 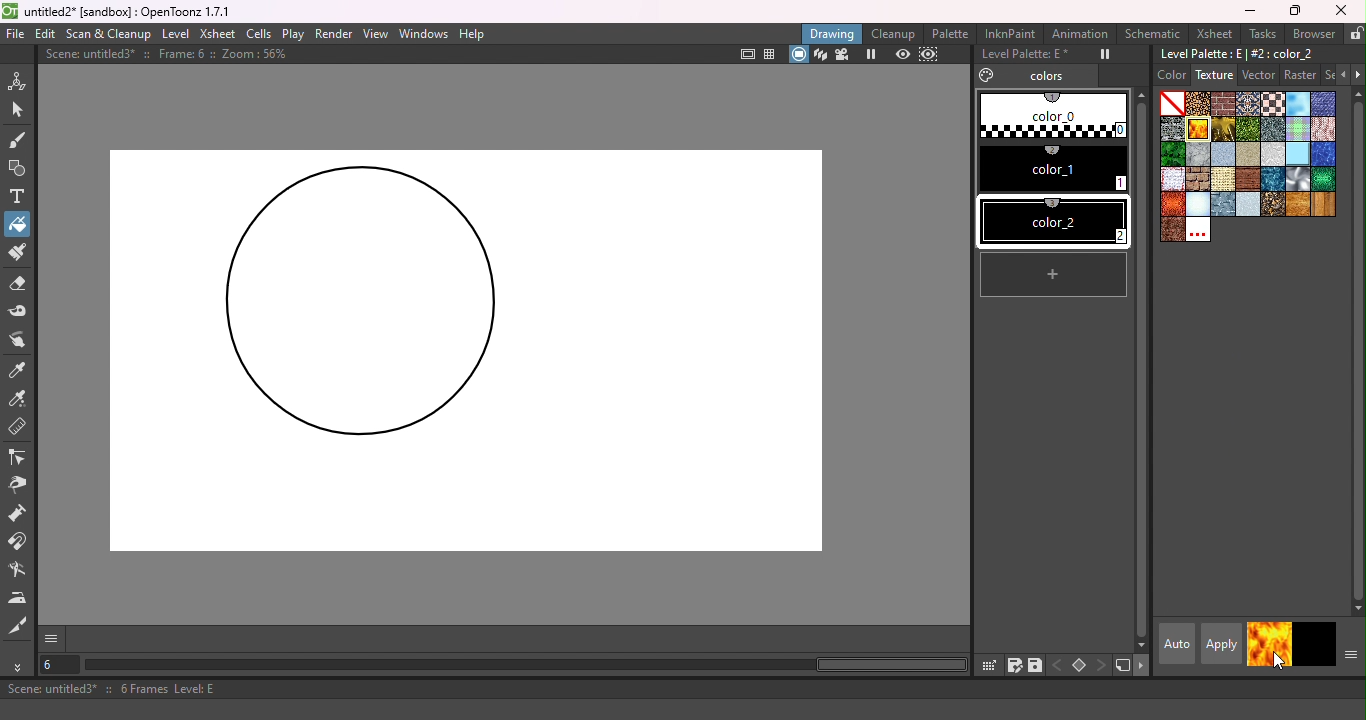 What do you see at coordinates (1257, 54) in the screenshot?
I see `Level palette: E | #2:color_2` at bounding box center [1257, 54].